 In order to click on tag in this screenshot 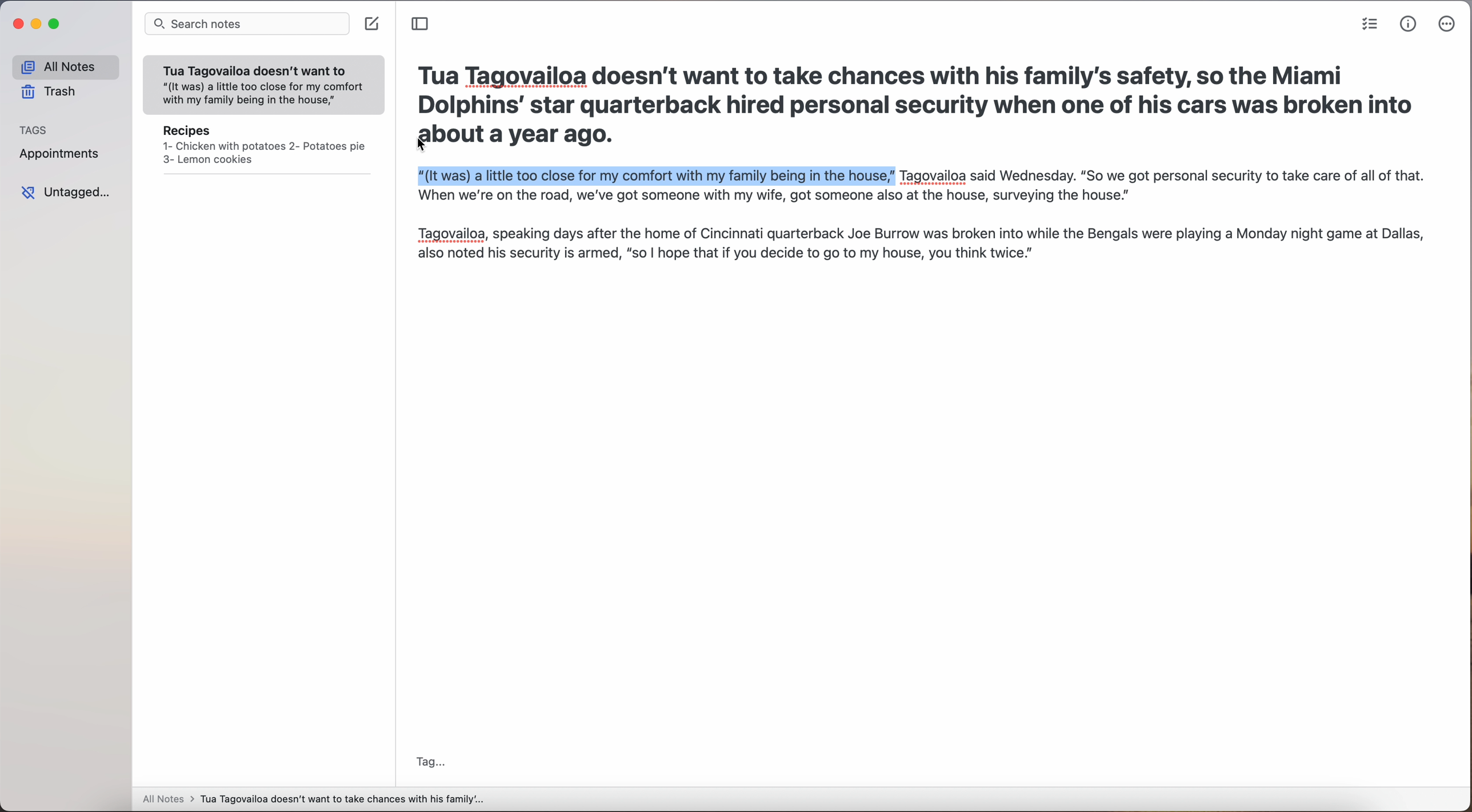, I will do `click(430, 763)`.